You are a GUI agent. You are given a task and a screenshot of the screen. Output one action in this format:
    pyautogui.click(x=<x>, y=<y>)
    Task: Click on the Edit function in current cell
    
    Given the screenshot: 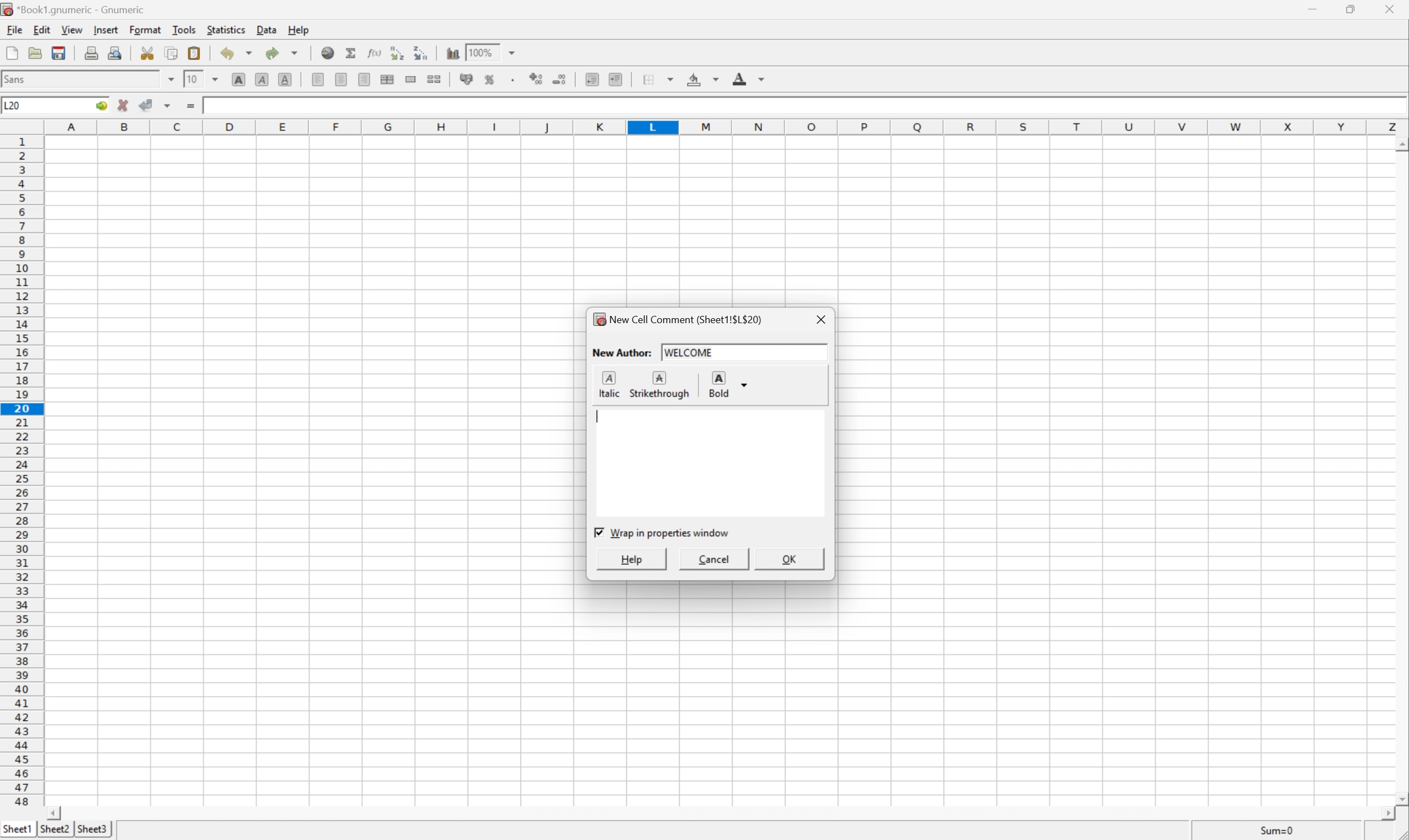 What is the action you would take?
    pyautogui.click(x=374, y=52)
    